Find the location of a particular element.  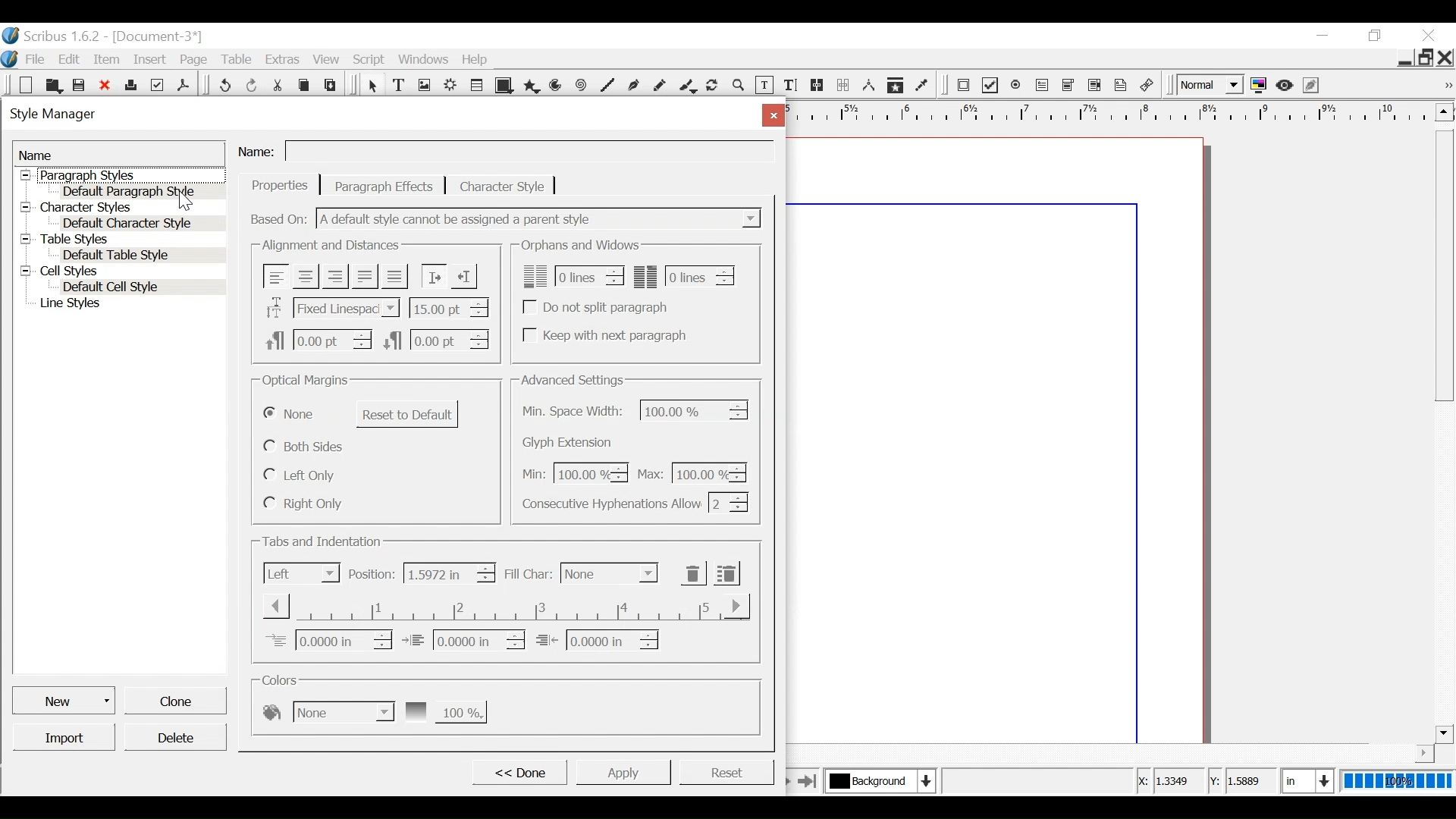

Bezier curve is located at coordinates (633, 87).